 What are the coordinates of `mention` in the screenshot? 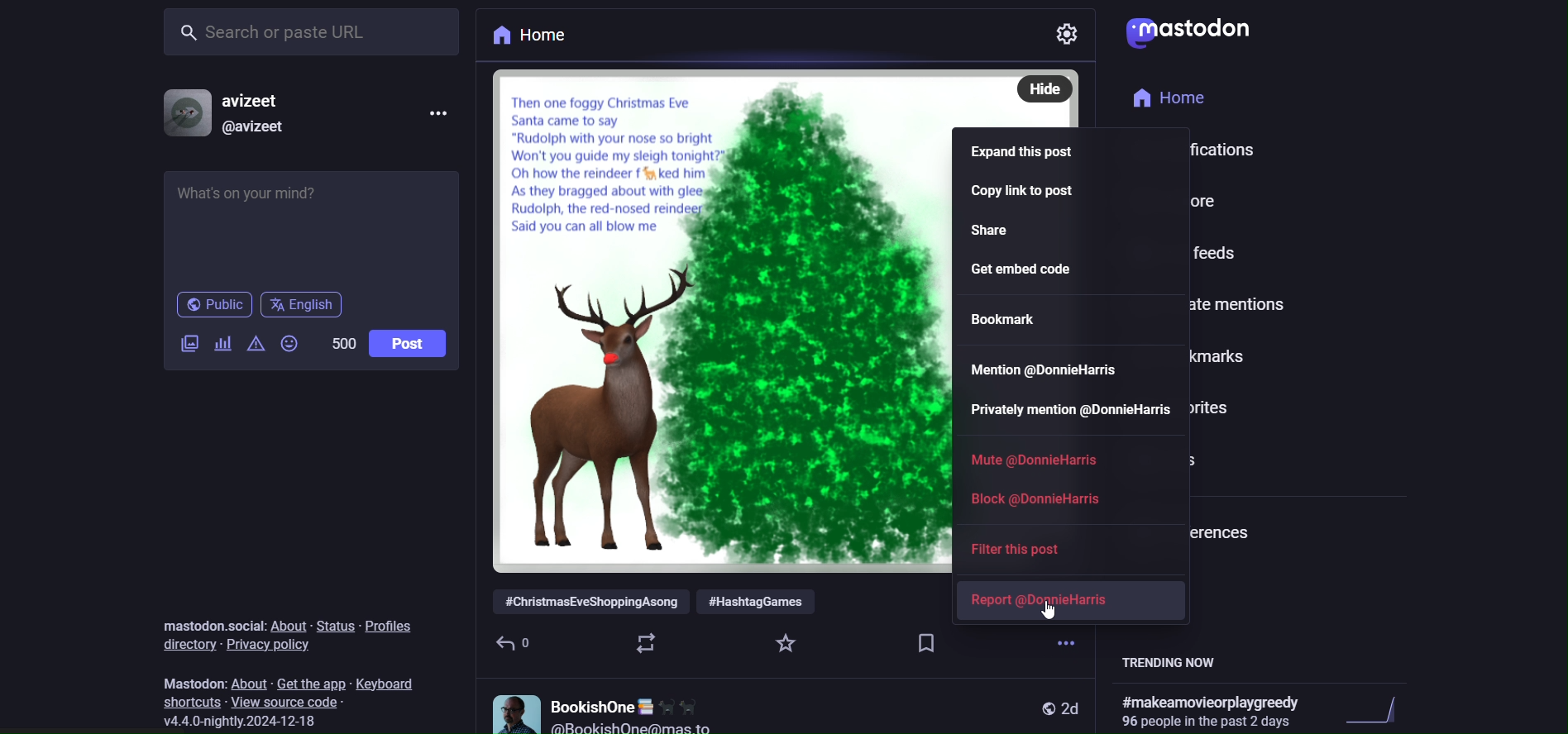 It's located at (1050, 369).